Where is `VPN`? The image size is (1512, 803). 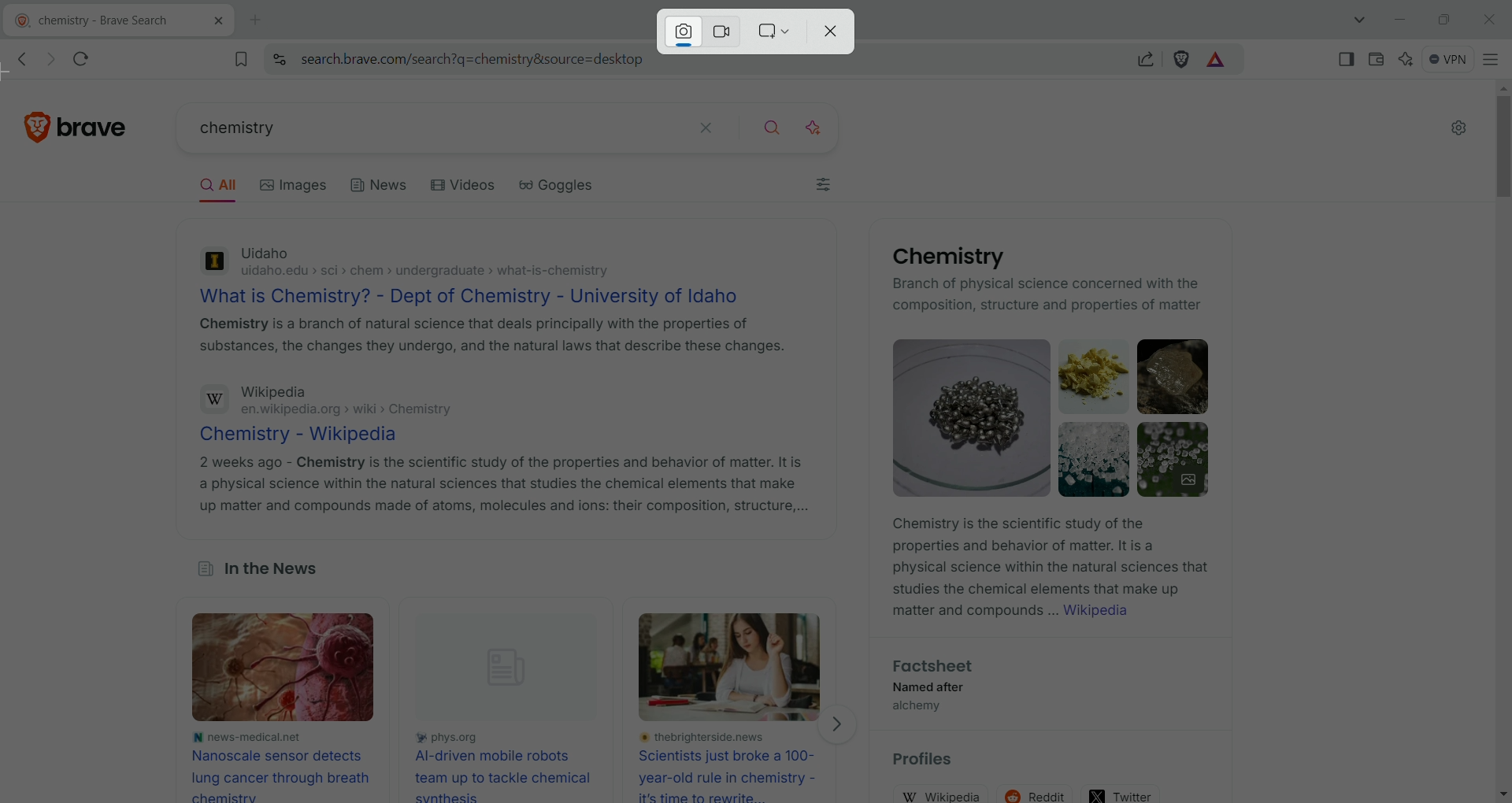 VPN is located at coordinates (1444, 57).